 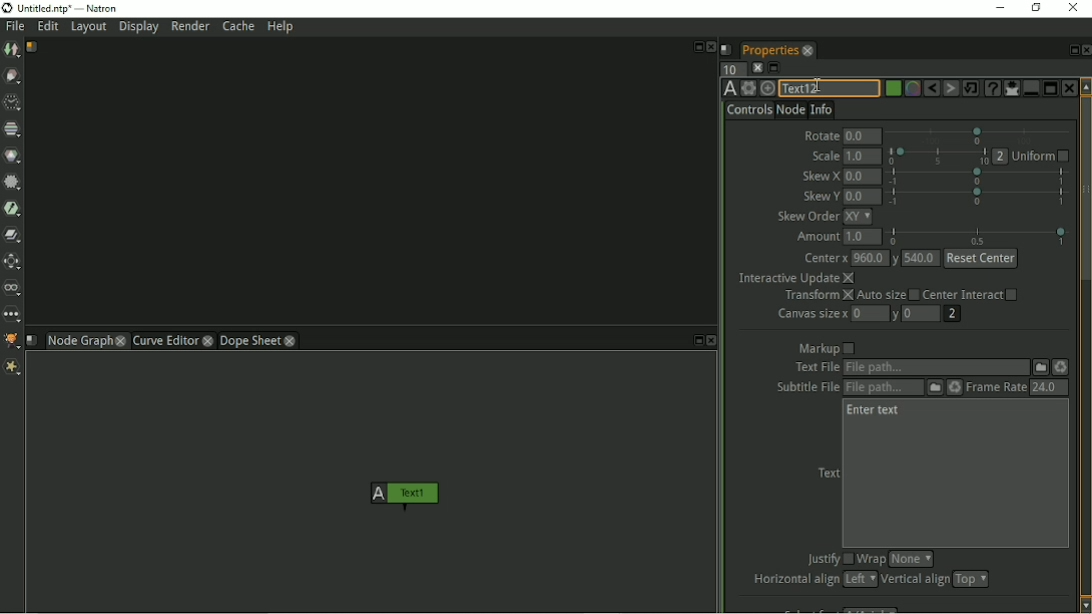 What do you see at coordinates (1011, 88) in the screenshot?
I see `Show/hide all parameters` at bounding box center [1011, 88].